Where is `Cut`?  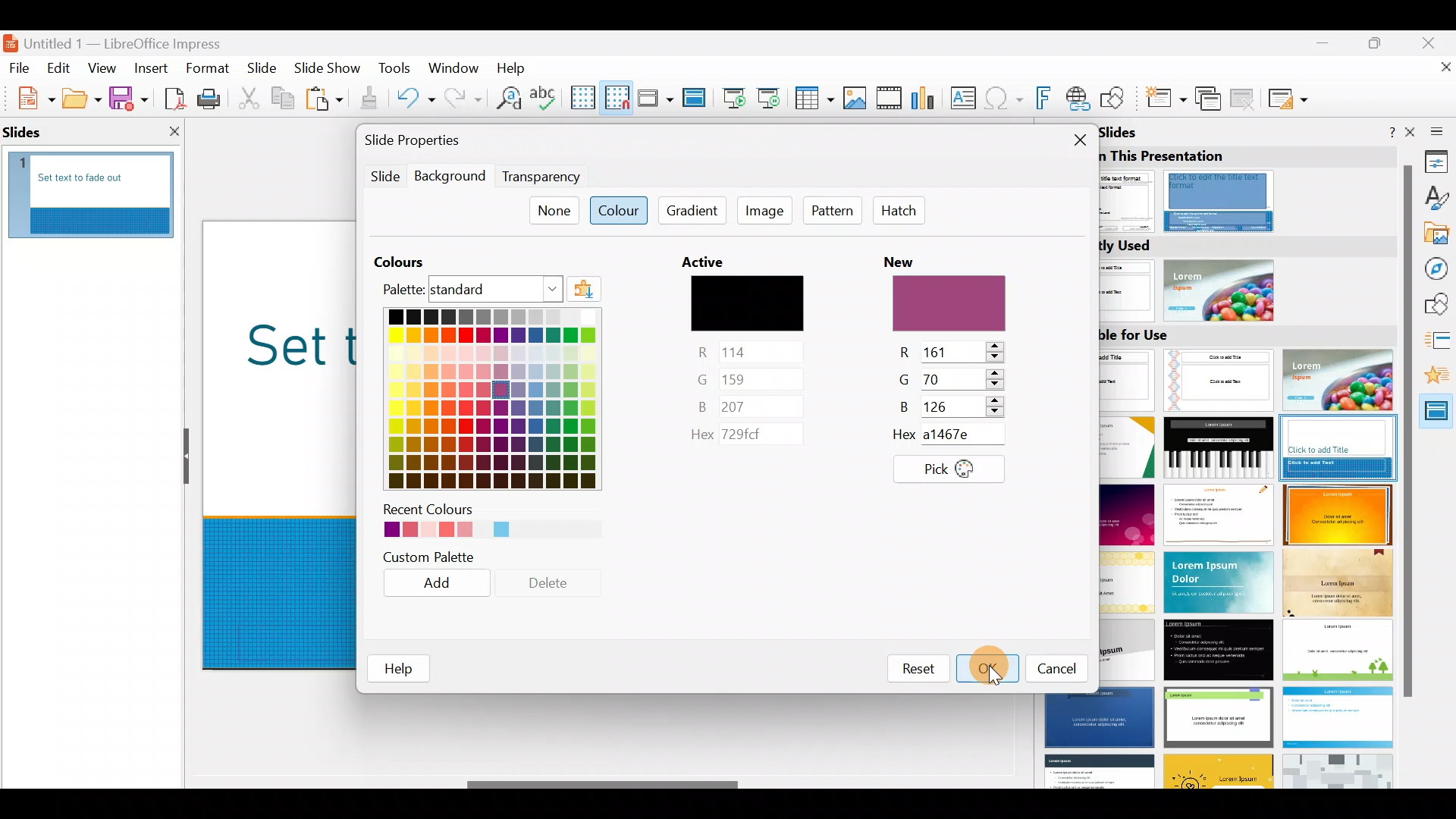 Cut is located at coordinates (251, 99).